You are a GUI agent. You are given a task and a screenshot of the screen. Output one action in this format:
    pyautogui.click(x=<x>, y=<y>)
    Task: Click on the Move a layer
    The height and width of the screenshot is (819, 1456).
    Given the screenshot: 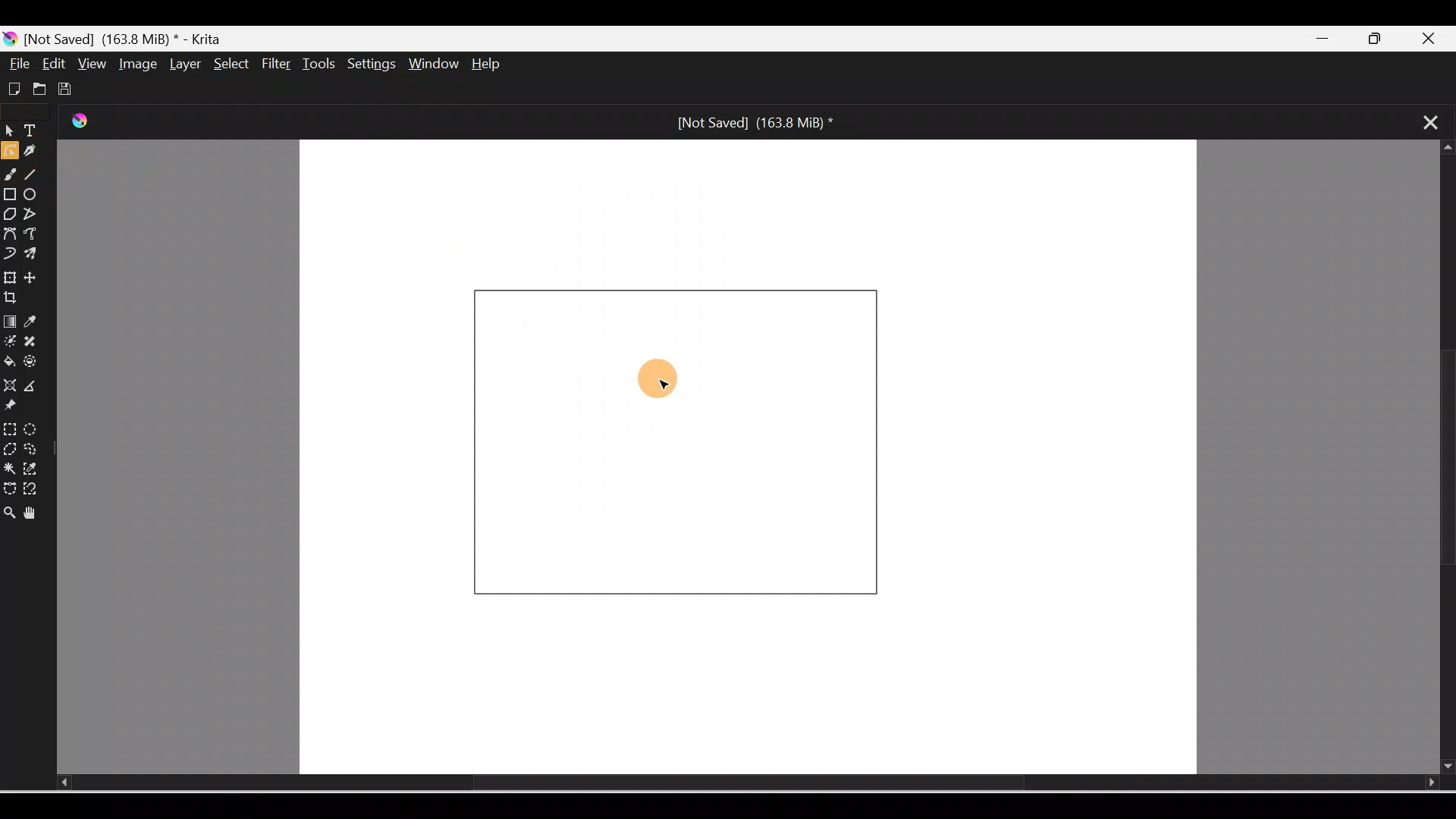 What is the action you would take?
    pyautogui.click(x=37, y=278)
    